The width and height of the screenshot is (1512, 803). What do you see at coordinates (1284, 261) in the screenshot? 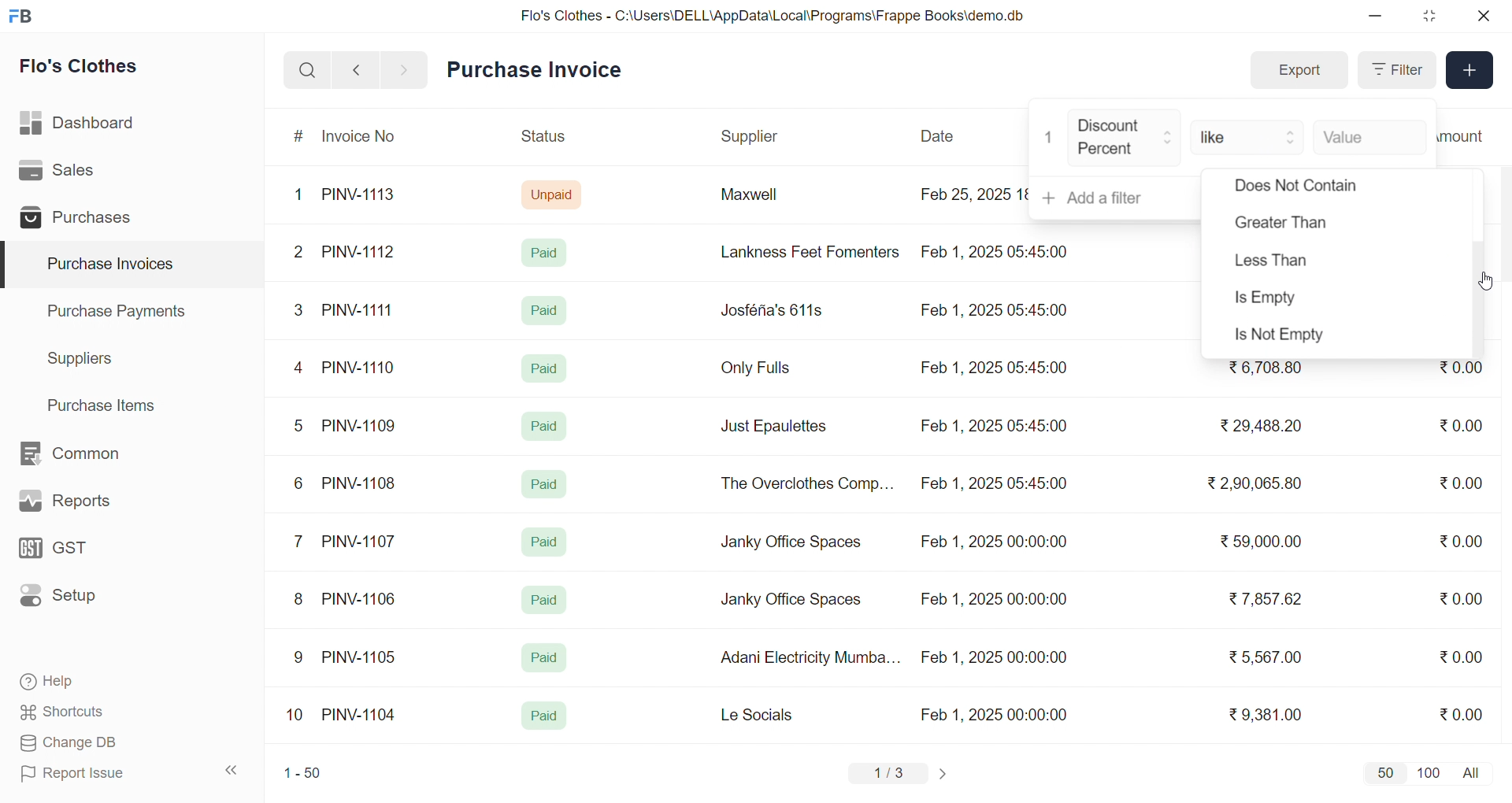
I see `Less Than` at bounding box center [1284, 261].